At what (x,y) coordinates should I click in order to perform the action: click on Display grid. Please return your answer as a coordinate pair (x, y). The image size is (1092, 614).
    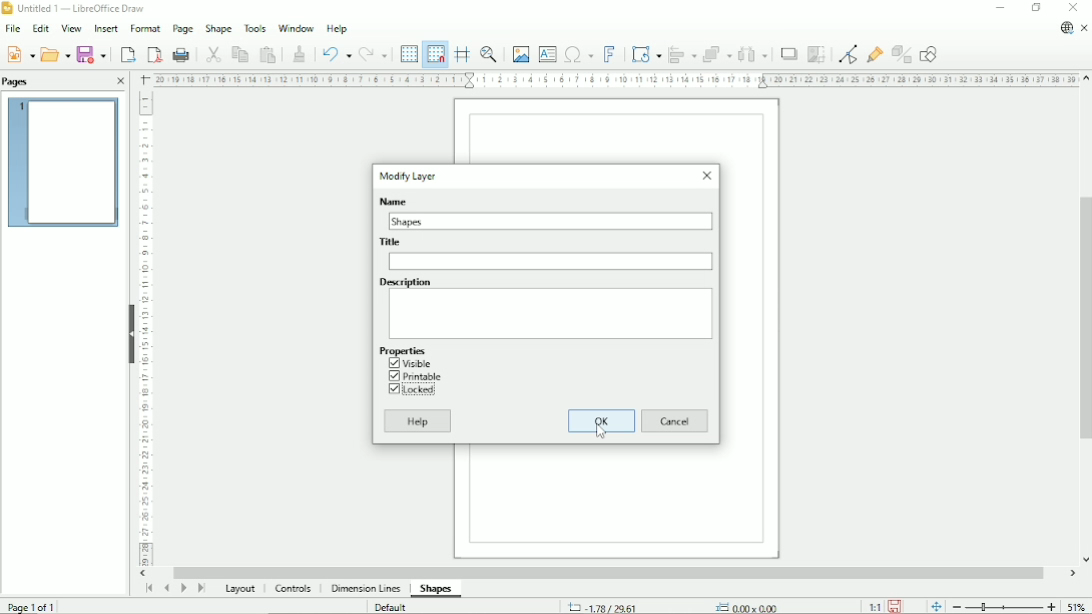
    Looking at the image, I should click on (408, 54).